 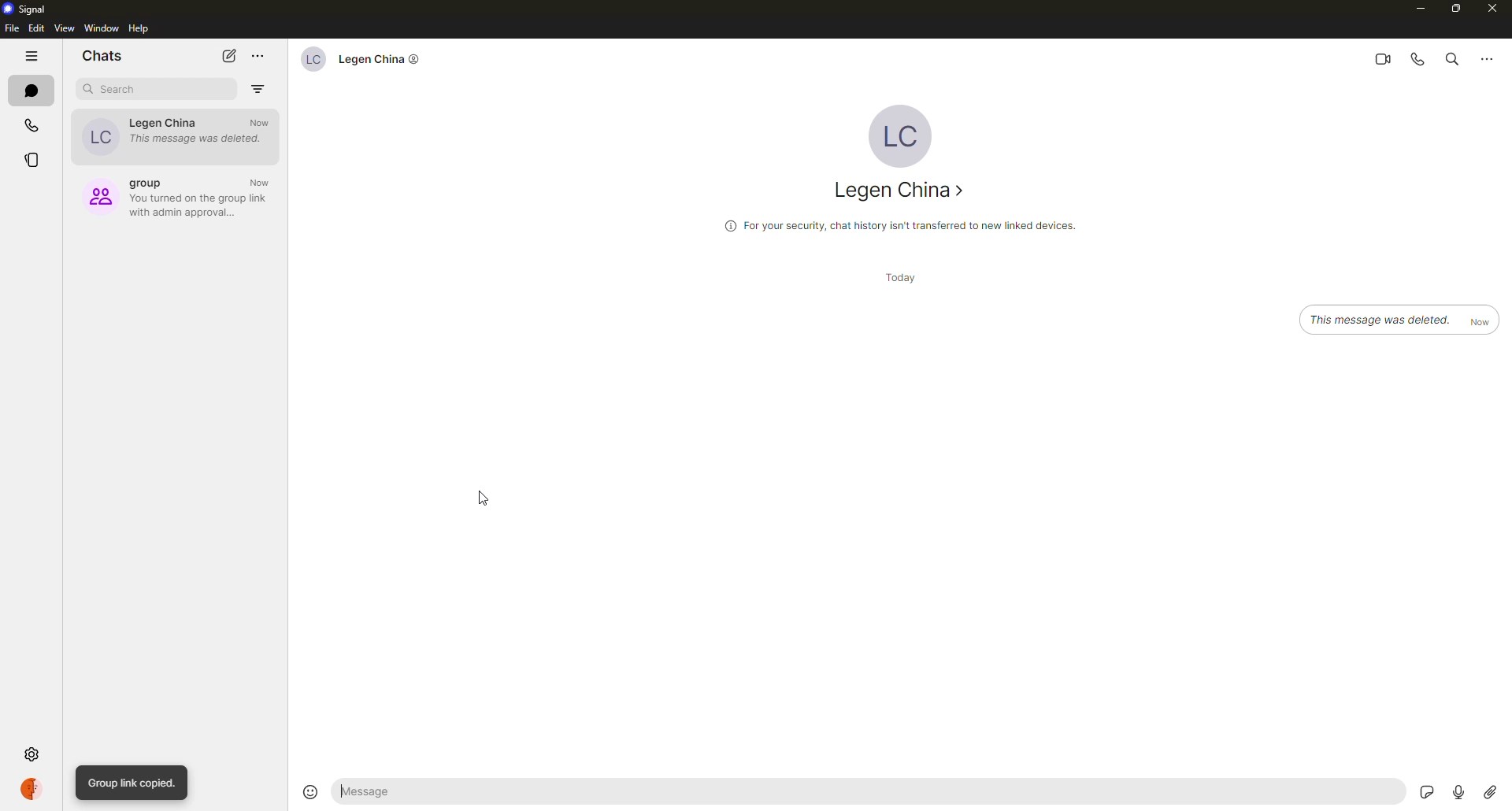 What do you see at coordinates (1378, 58) in the screenshot?
I see `video` at bounding box center [1378, 58].